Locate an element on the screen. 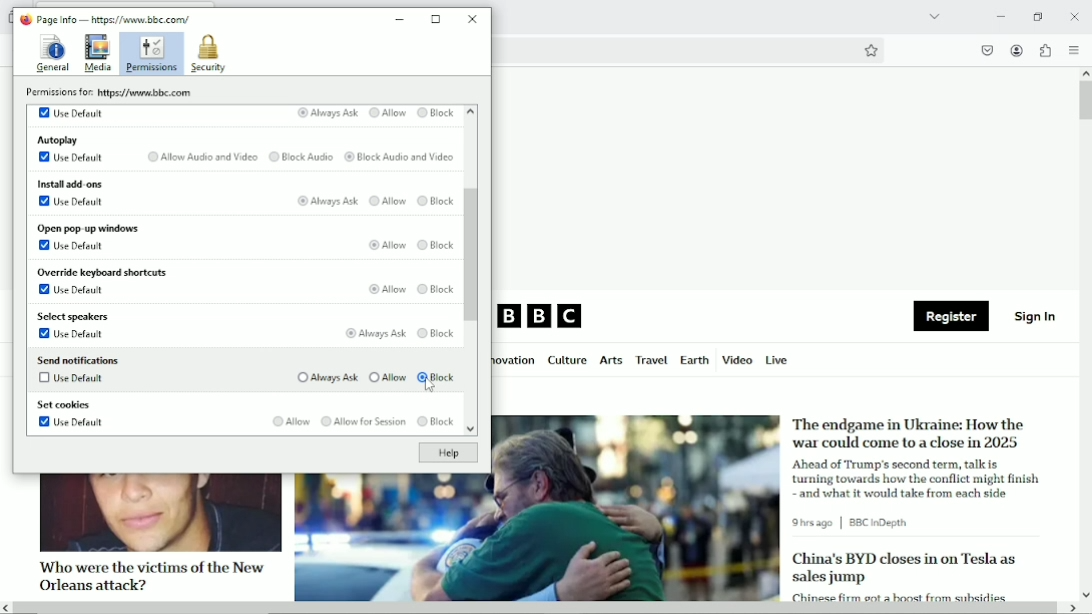  Allow is located at coordinates (389, 288).